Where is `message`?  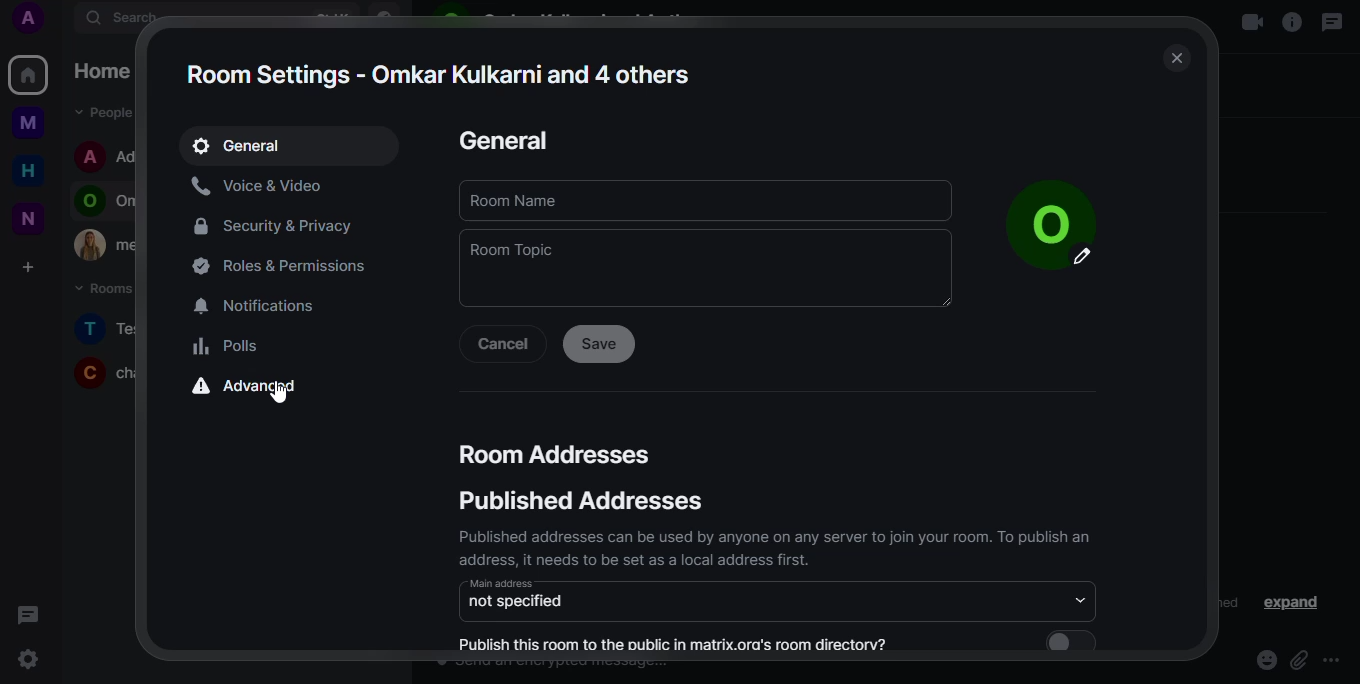 message is located at coordinates (1334, 22).